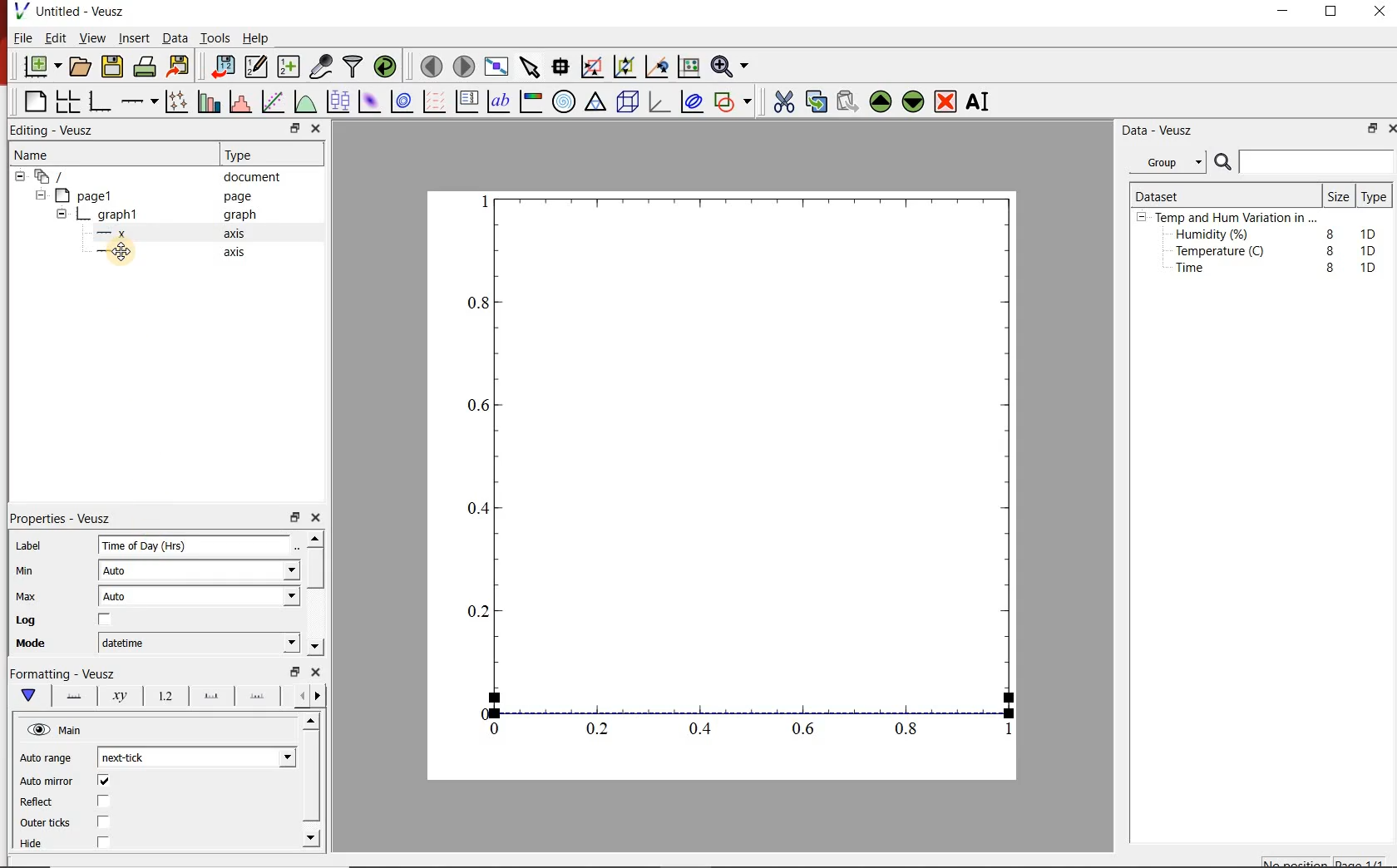 The height and width of the screenshot is (868, 1397). Describe the element at coordinates (74, 11) in the screenshot. I see `Untitled - Veusz` at that location.